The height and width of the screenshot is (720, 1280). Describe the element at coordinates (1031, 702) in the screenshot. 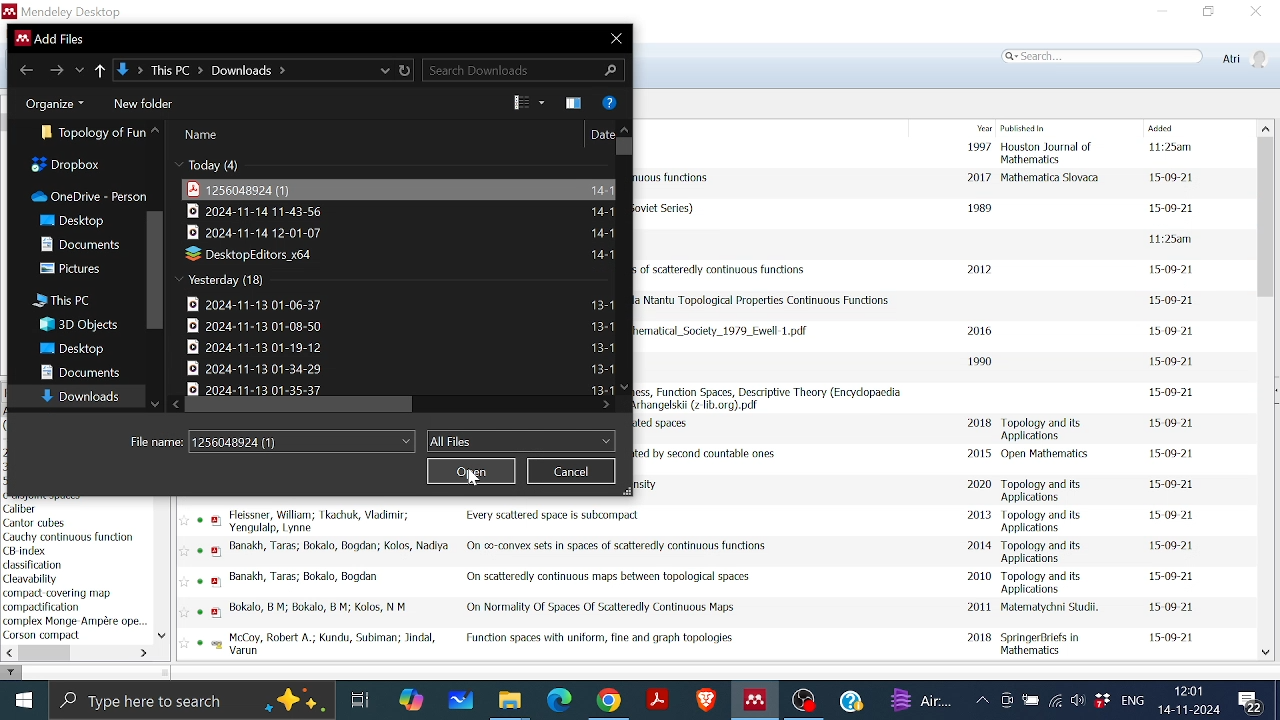

I see `Battery` at that location.